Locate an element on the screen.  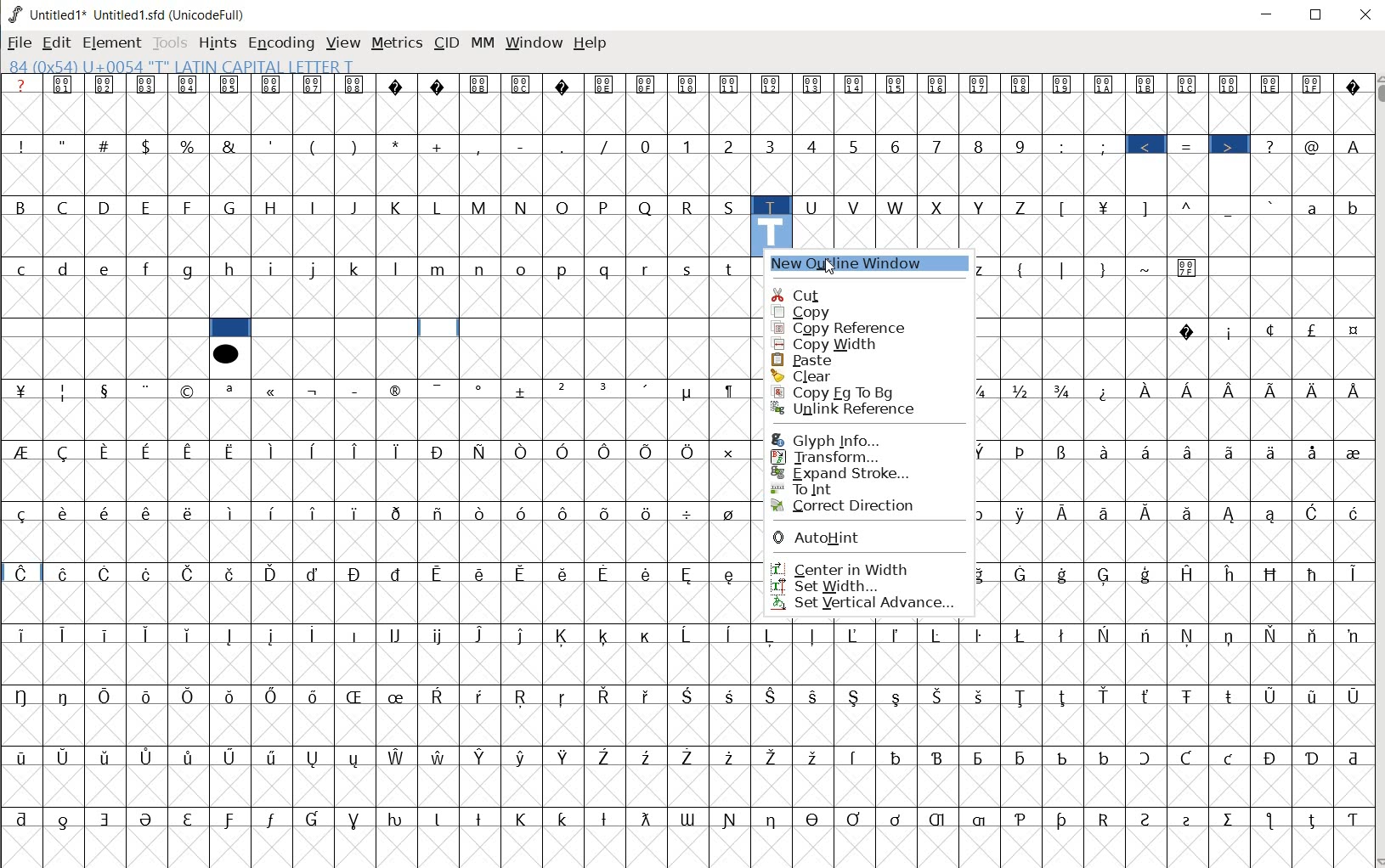
o is located at coordinates (523, 268).